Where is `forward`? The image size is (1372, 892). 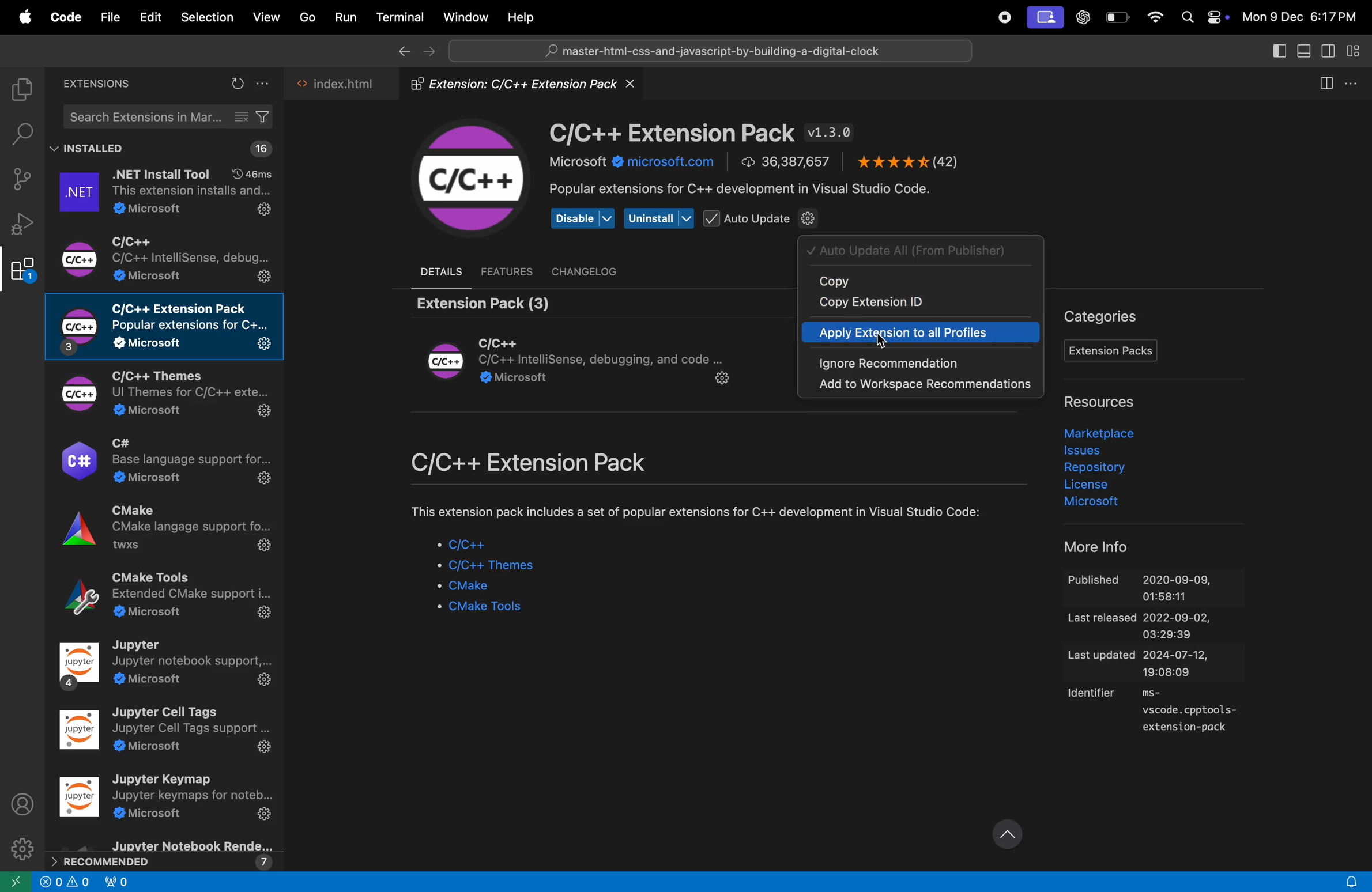 forward is located at coordinates (429, 50).